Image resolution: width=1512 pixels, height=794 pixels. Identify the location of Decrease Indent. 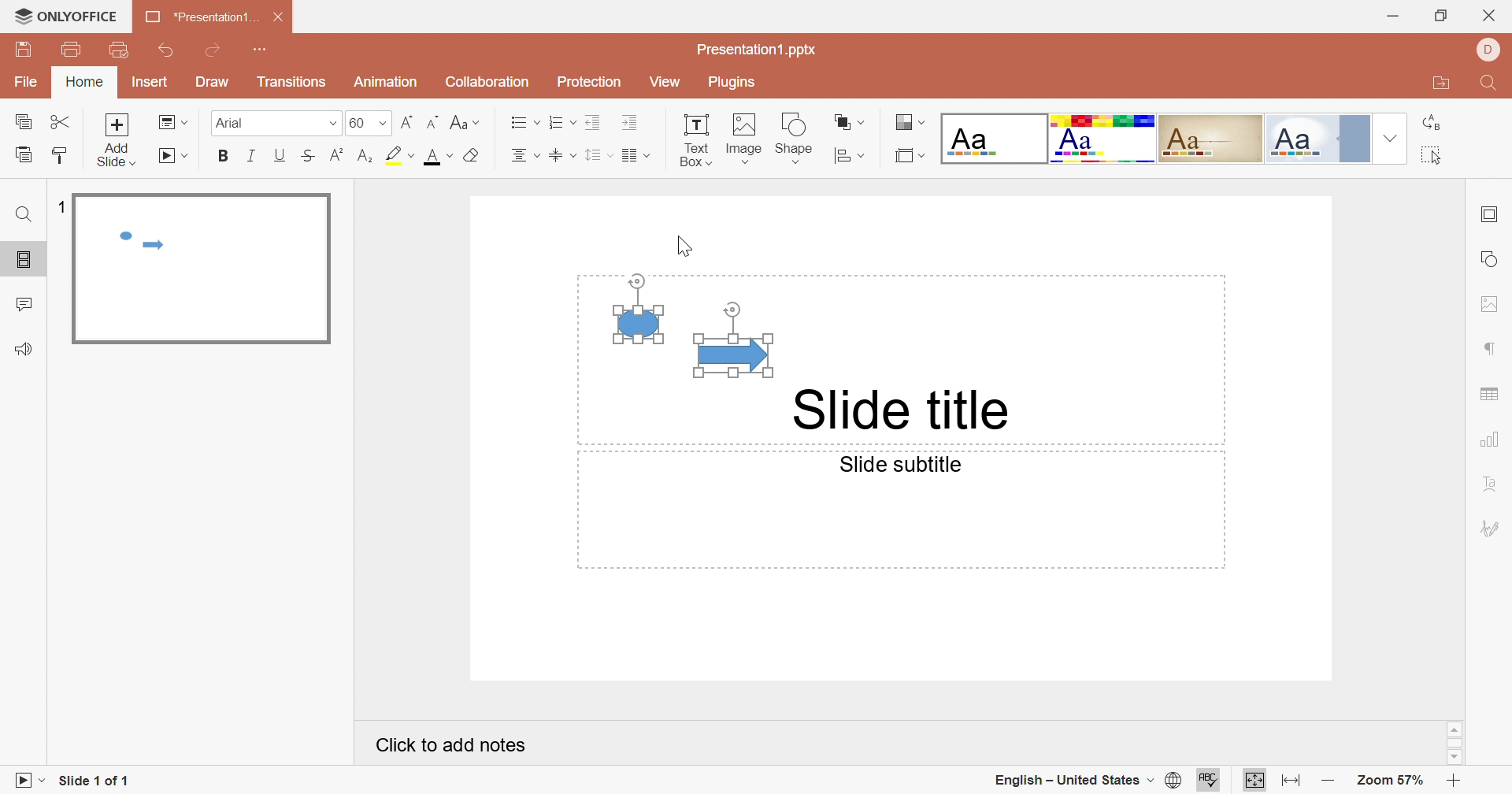
(591, 122).